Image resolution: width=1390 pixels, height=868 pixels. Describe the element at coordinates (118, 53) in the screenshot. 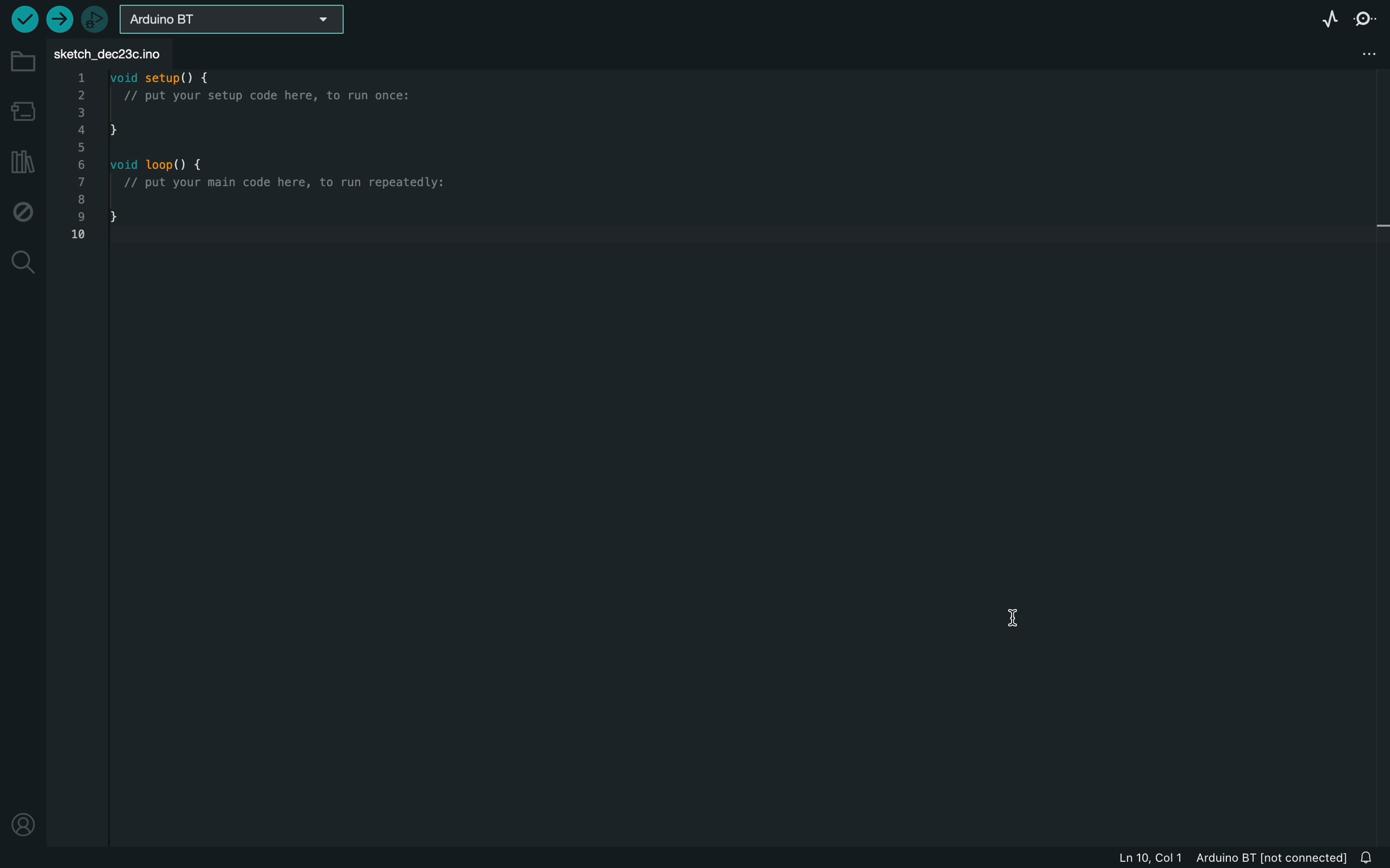

I see `file tab` at that location.